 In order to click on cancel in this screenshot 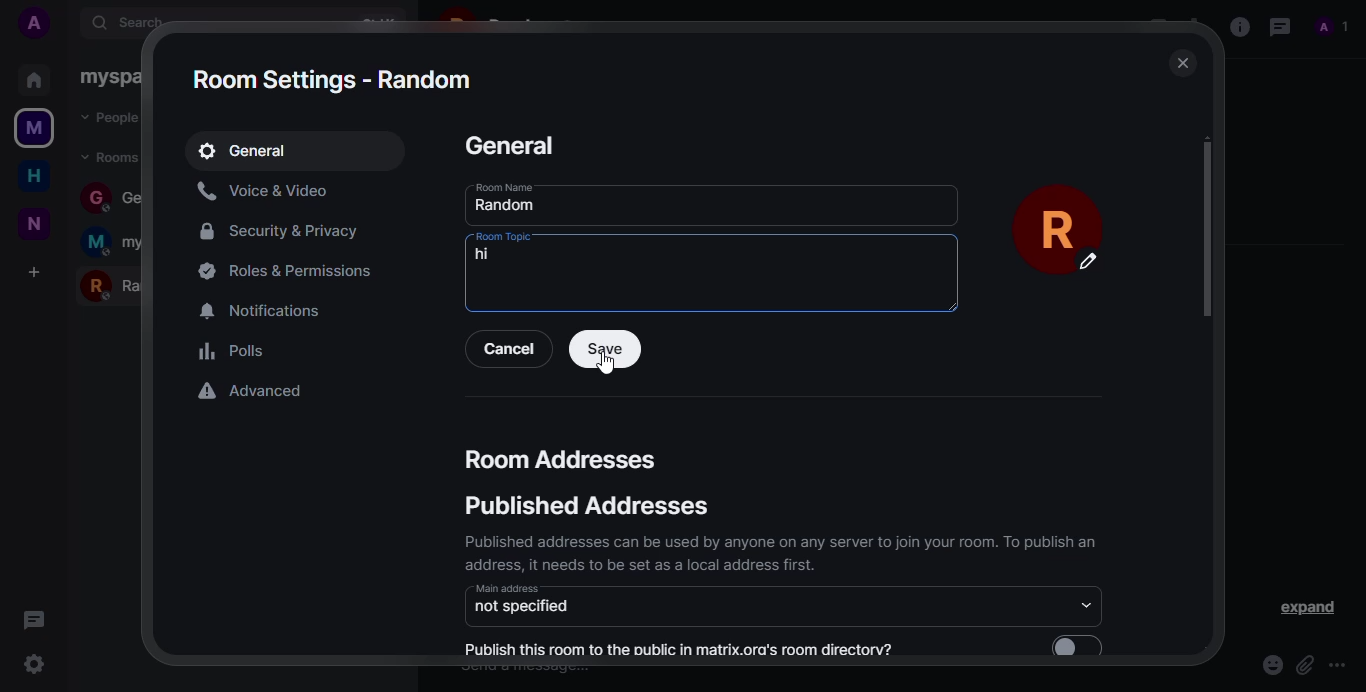, I will do `click(512, 348)`.